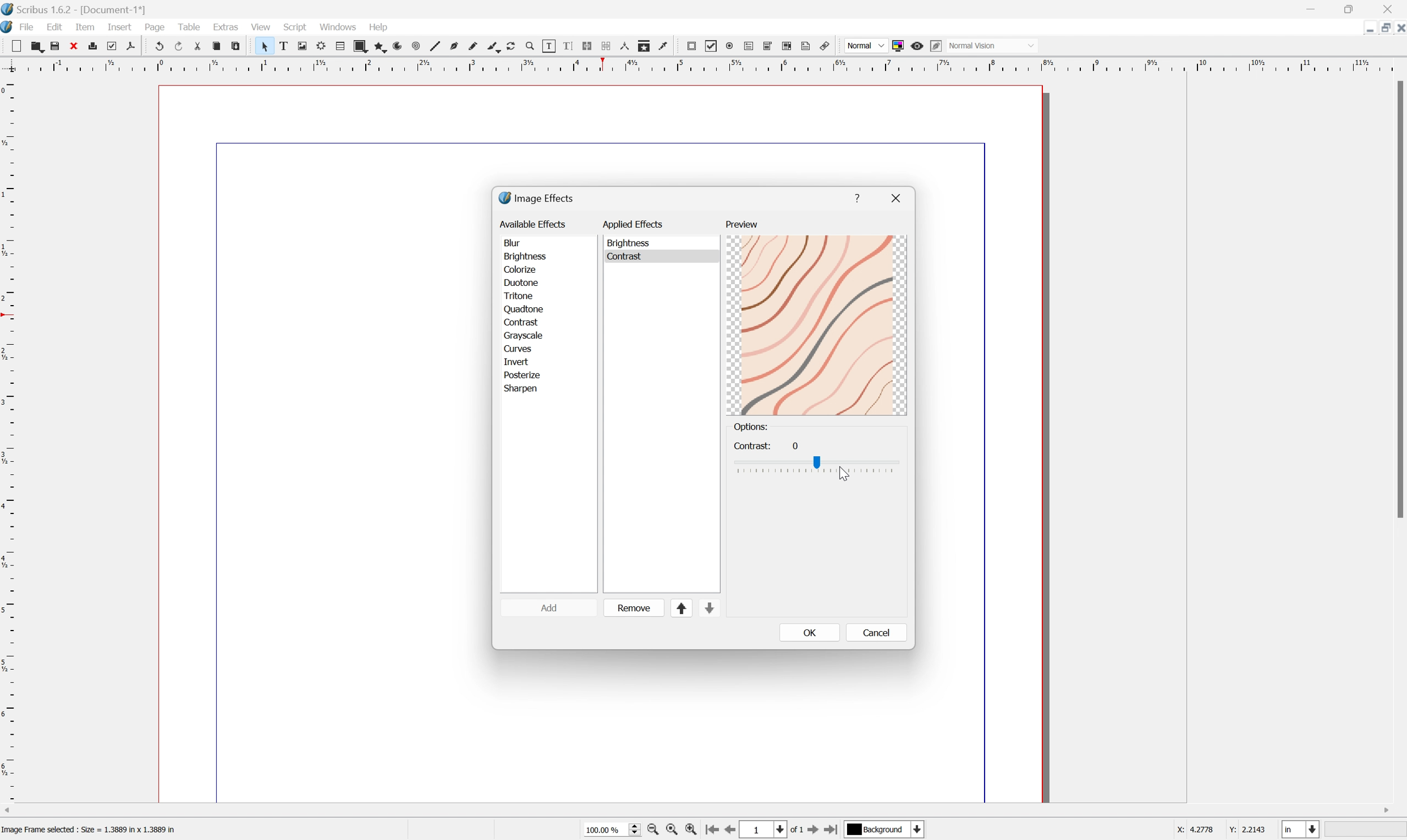 This screenshot has width=1407, height=840. Describe the element at coordinates (712, 47) in the screenshot. I see `PDF checkbox` at that location.